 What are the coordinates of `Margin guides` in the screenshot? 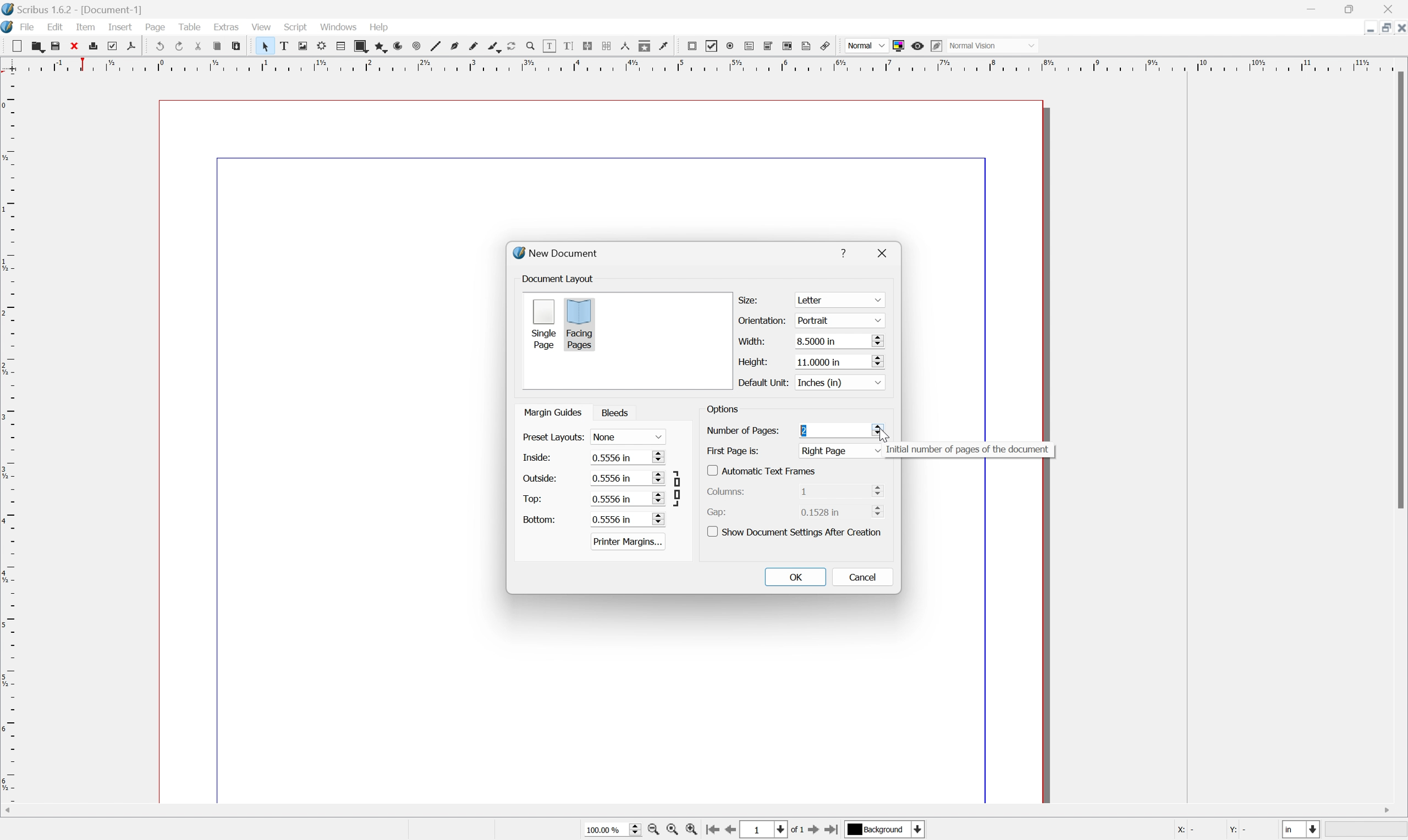 It's located at (551, 412).